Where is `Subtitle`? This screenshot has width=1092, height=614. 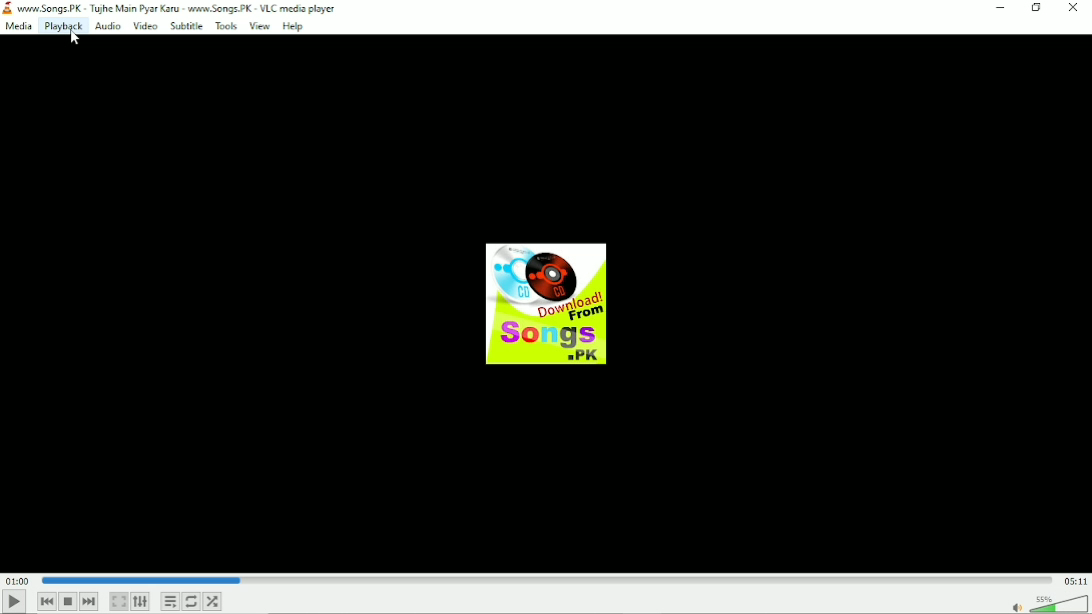
Subtitle is located at coordinates (186, 27).